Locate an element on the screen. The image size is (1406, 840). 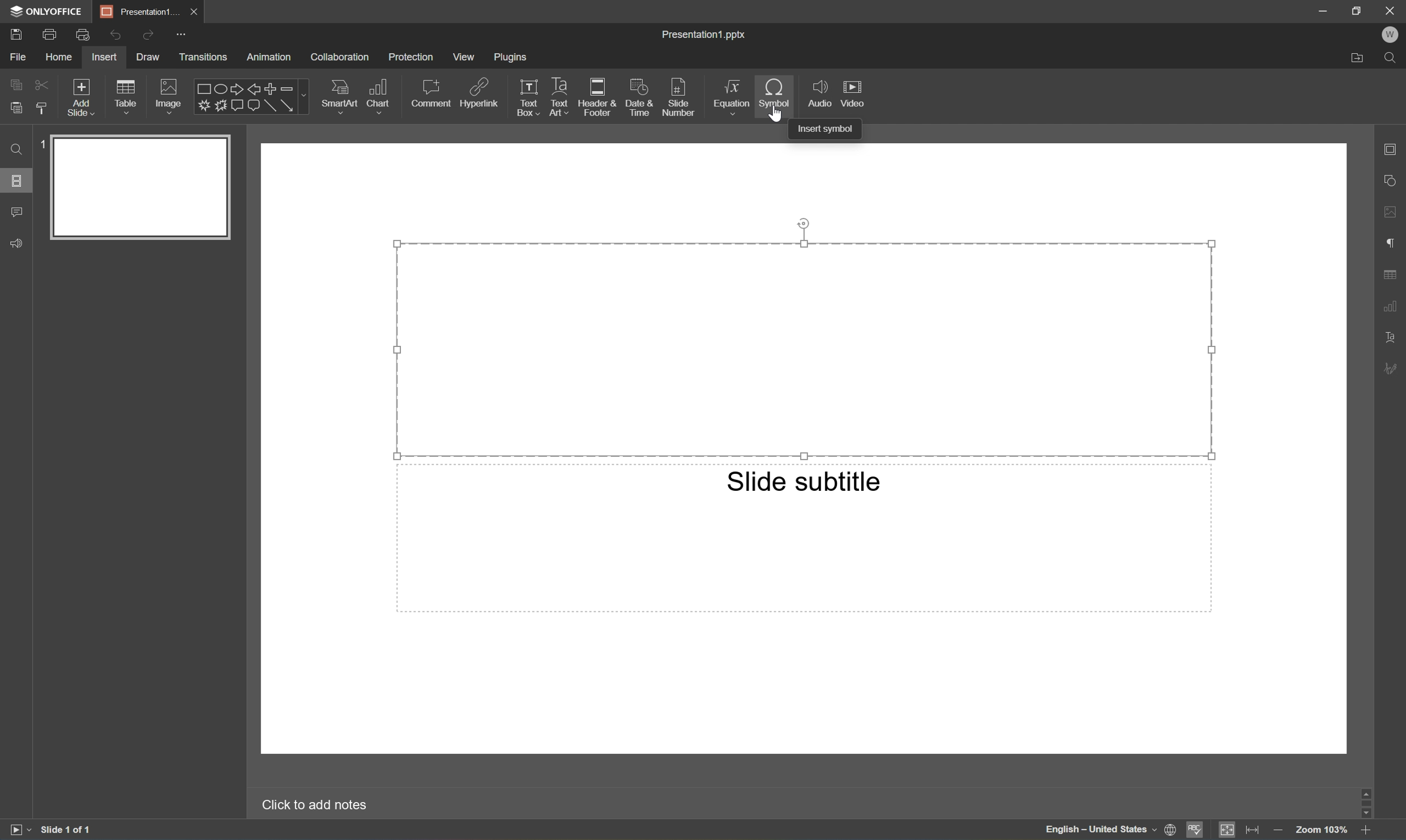
Equation is located at coordinates (730, 98).